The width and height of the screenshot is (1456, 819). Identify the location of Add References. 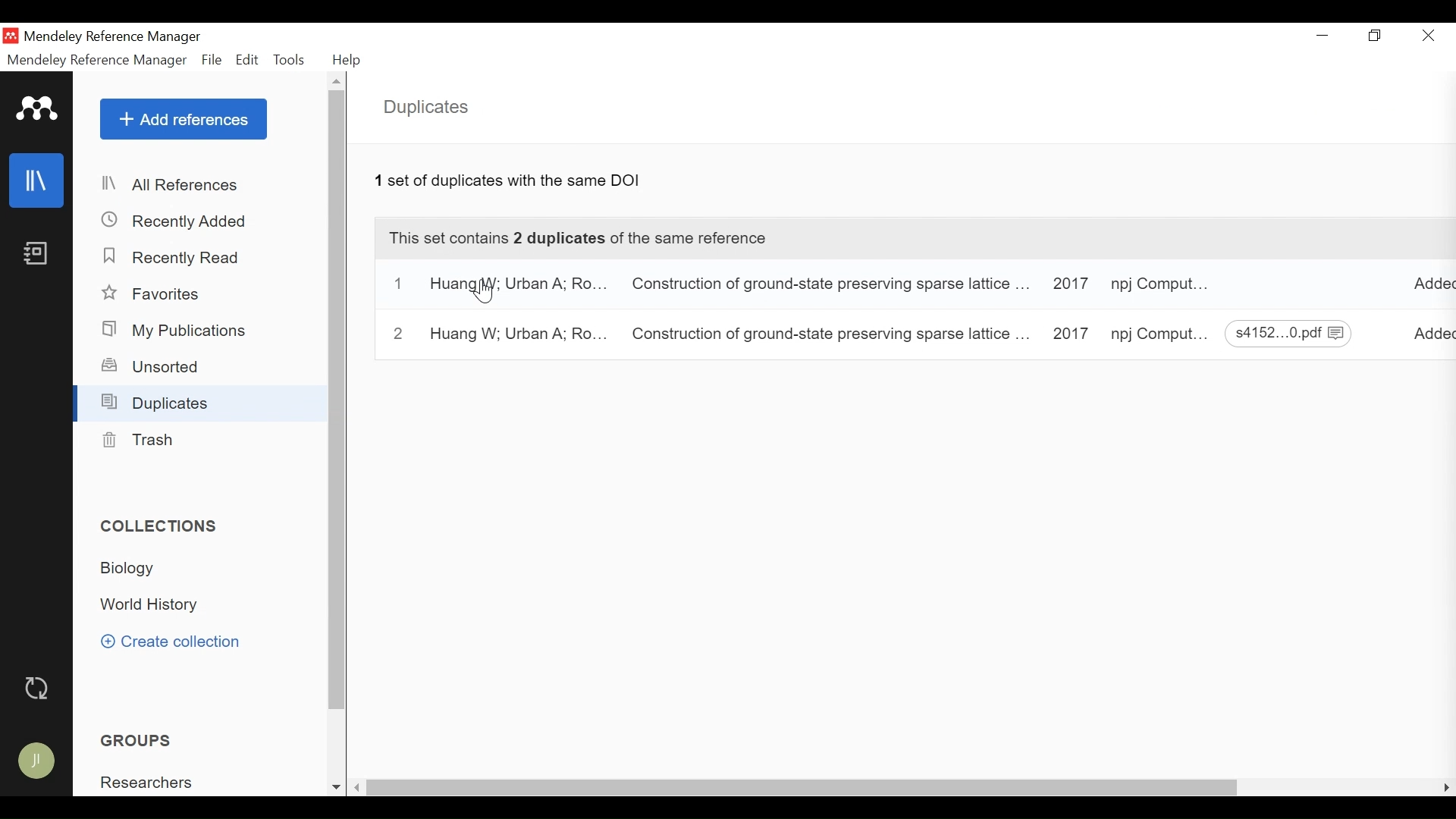
(184, 120).